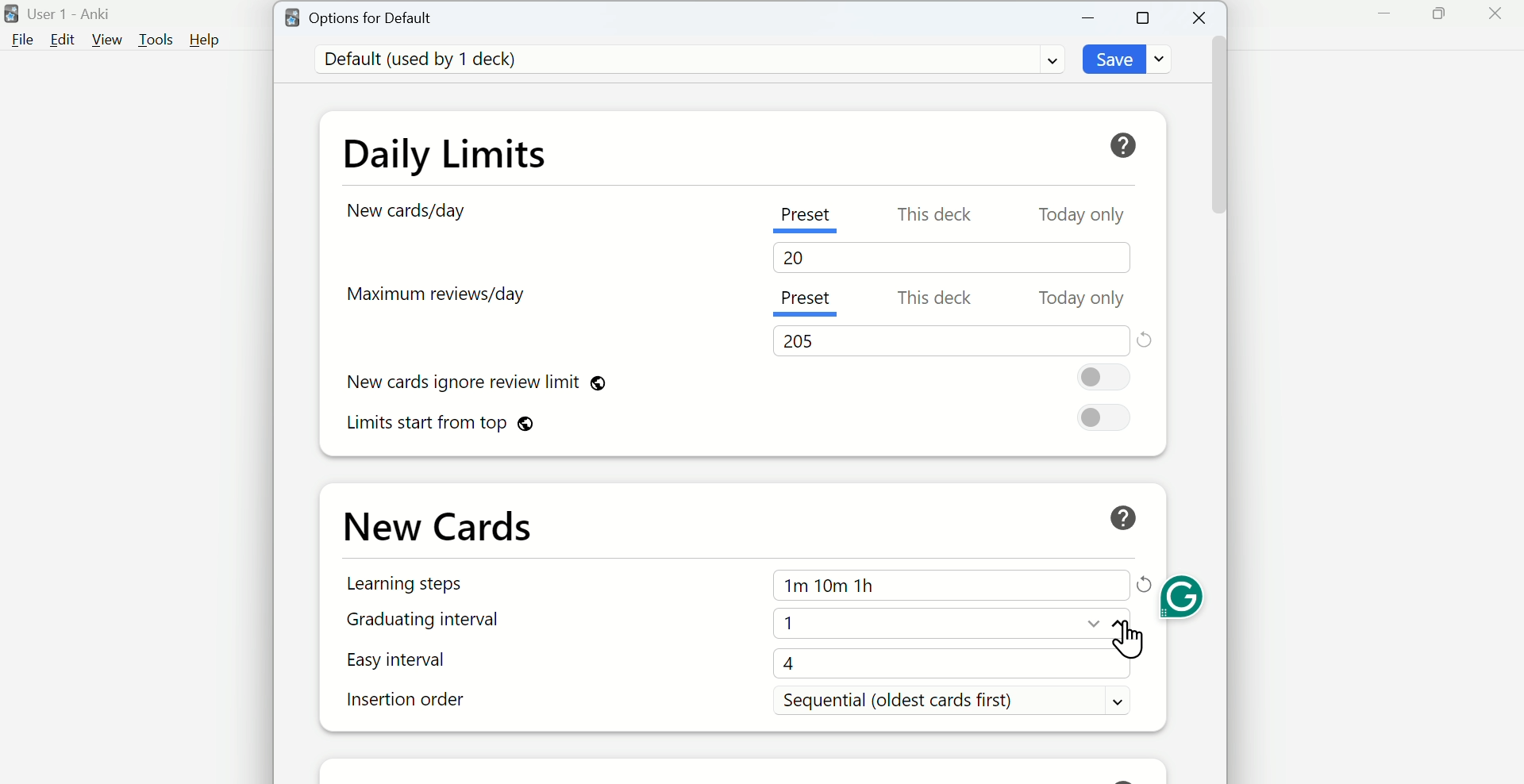 The image size is (1524, 784). I want to click on Default (used by 1 deck), so click(429, 60).